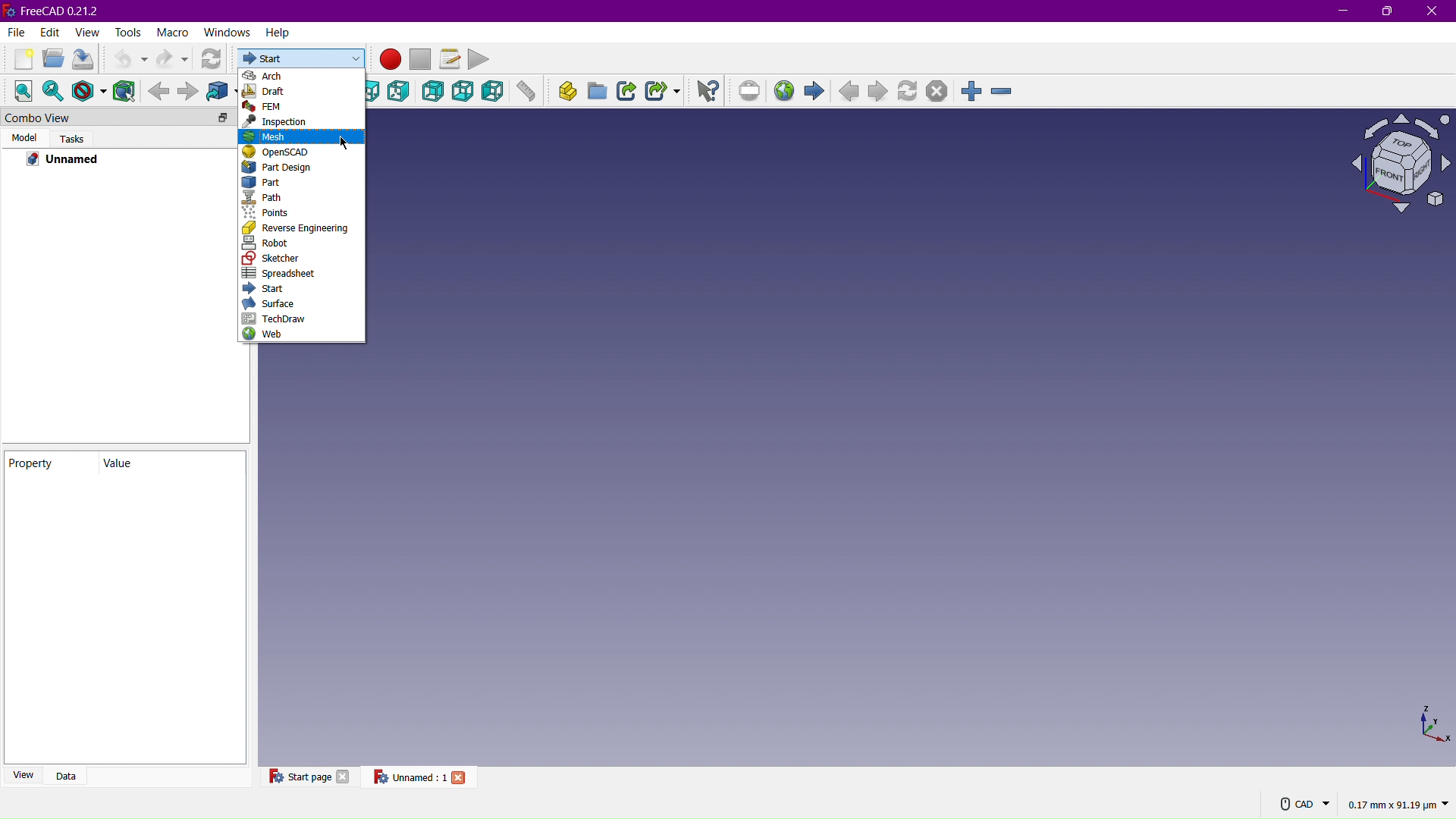 The width and height of the screenshot is (1456, 819). I want to click on FreeCAD 0.21.2, so click(58, 10).